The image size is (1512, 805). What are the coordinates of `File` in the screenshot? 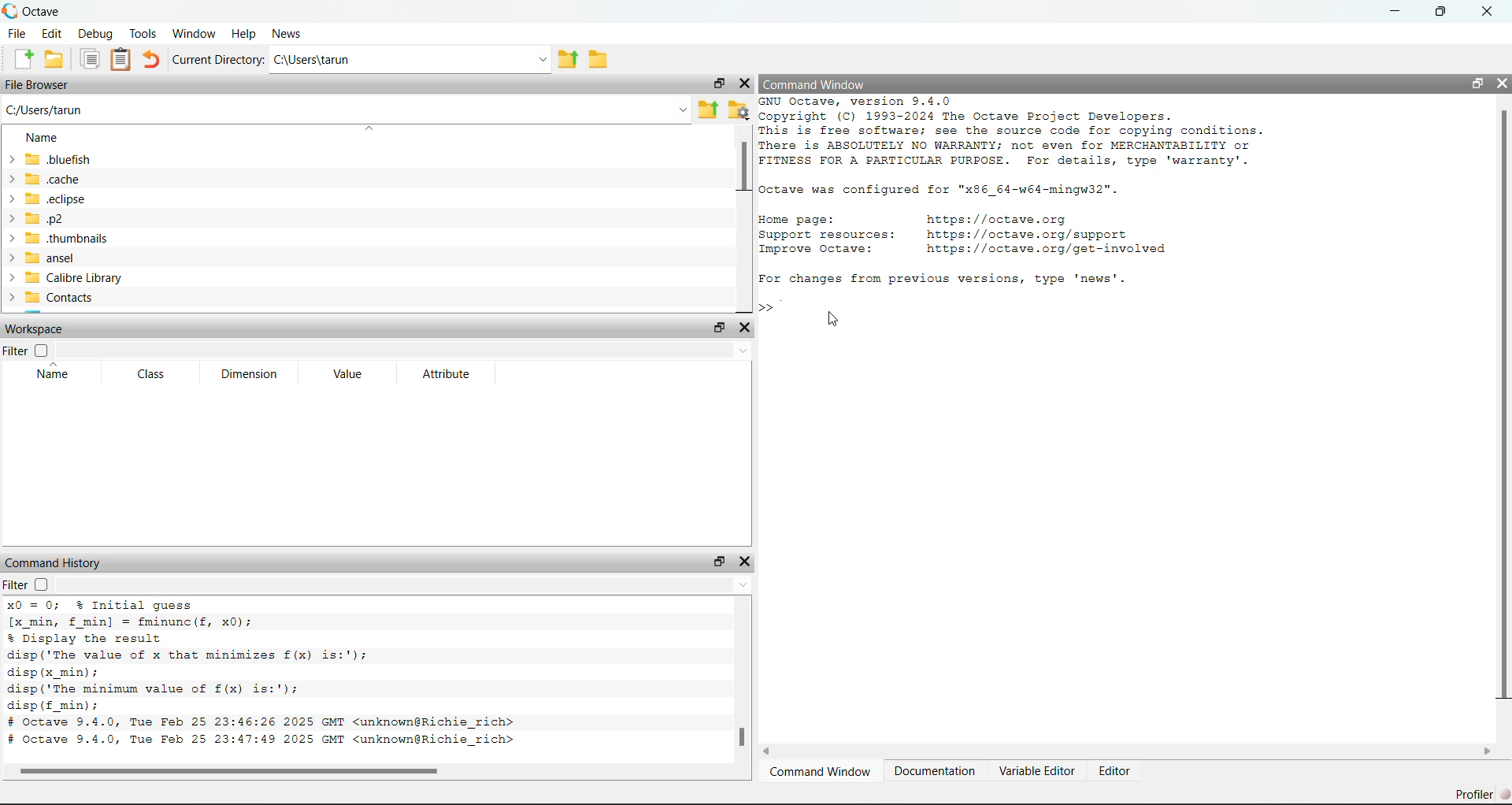 It's located at (18, 33).